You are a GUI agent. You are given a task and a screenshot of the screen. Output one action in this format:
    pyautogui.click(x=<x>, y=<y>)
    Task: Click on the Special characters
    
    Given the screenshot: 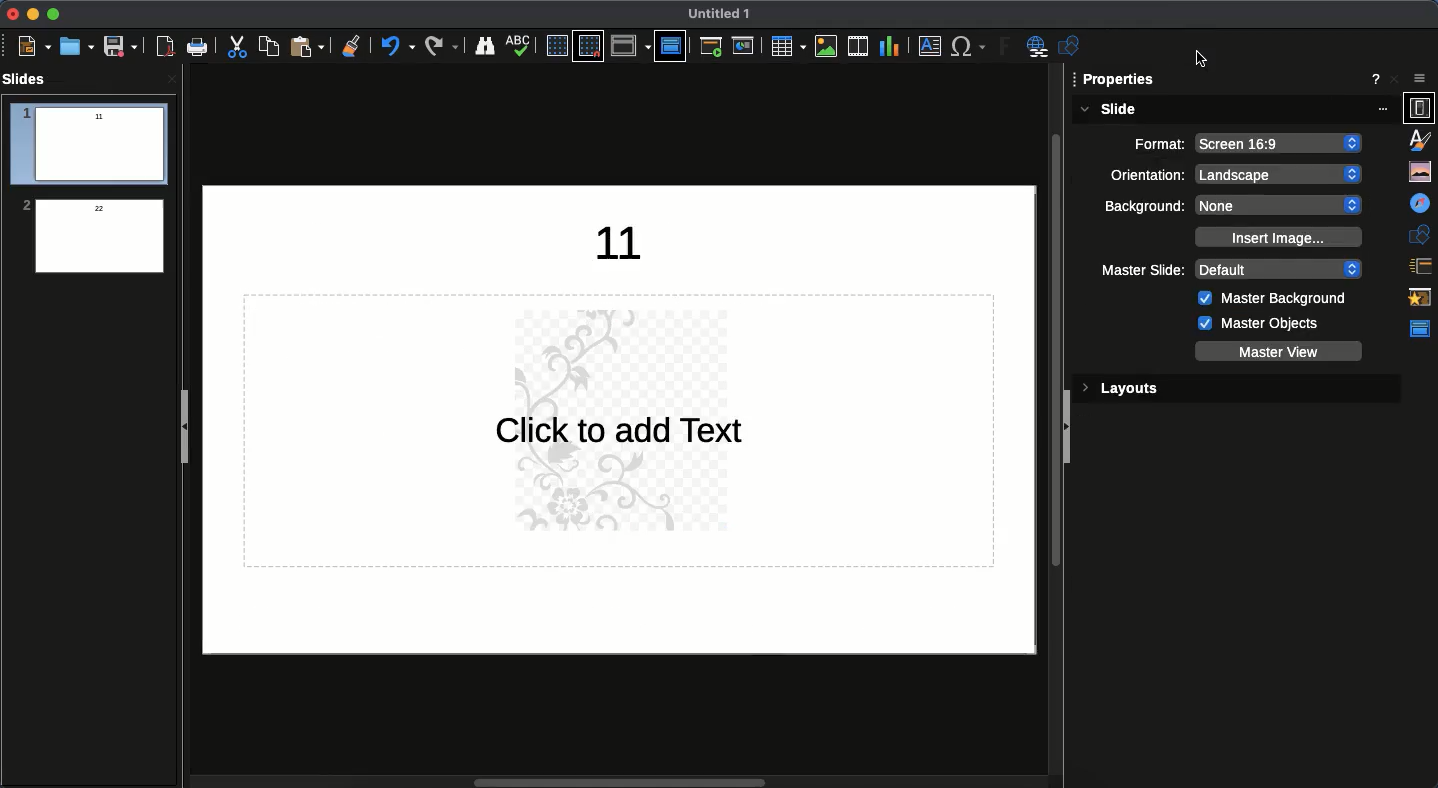 What is the action you would take?
    pyautogui.click(x=969, y=47)
    